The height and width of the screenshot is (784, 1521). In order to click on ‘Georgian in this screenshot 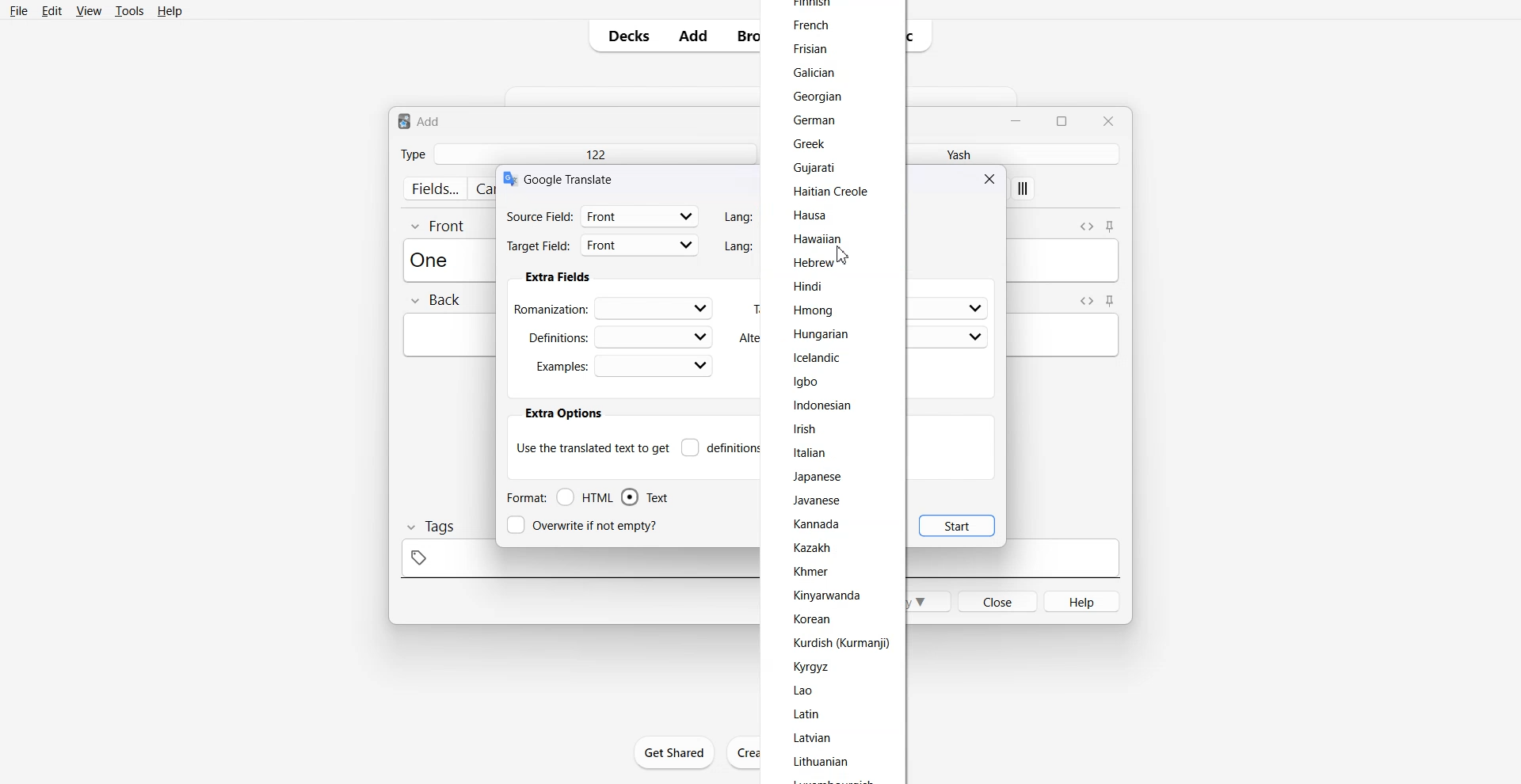, I will do `click(821, 97)`.